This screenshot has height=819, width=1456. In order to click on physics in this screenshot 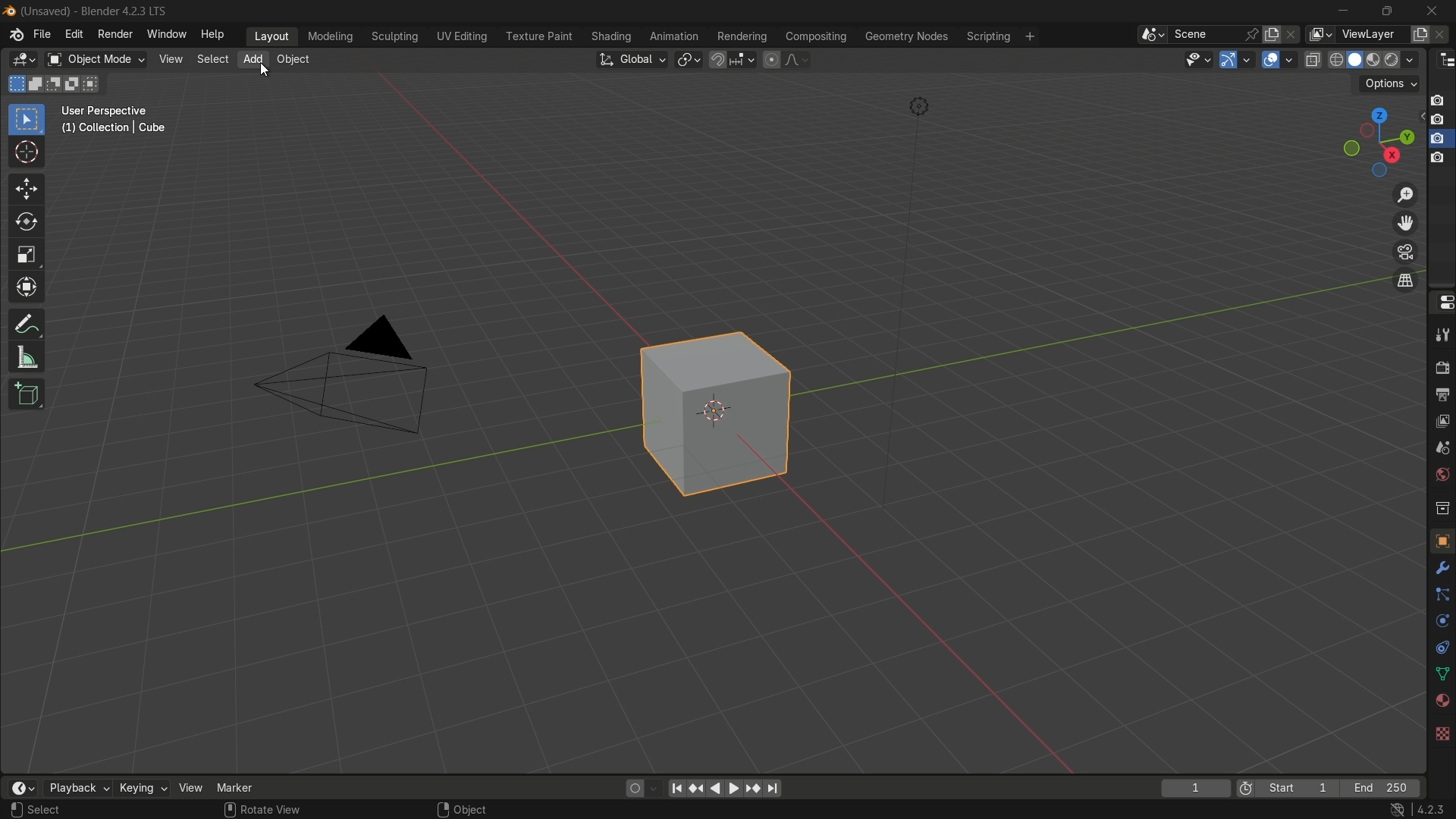, I will do `click(1441, 622)`.